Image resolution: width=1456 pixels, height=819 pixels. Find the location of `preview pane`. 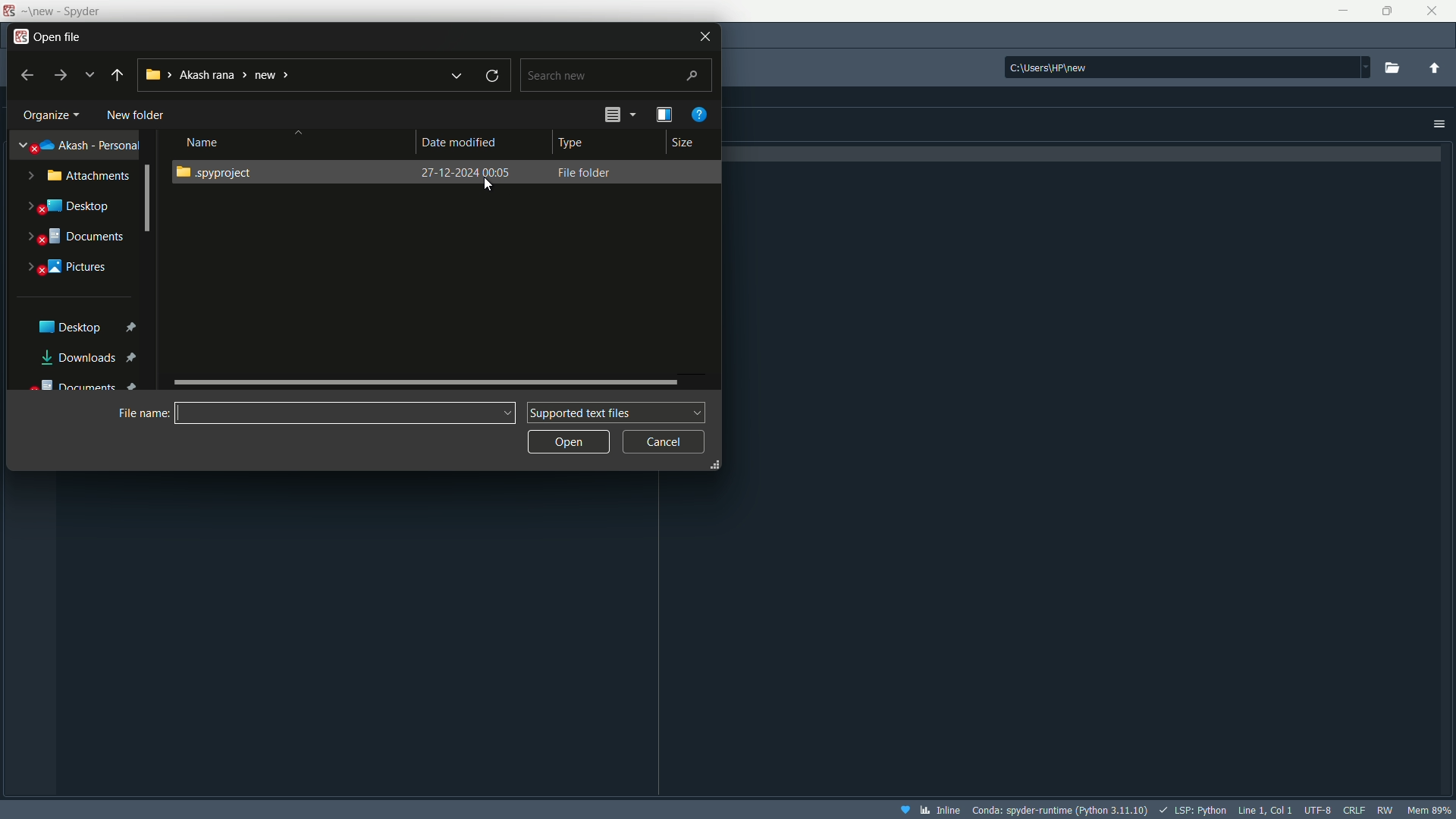

preview pane is located at coordinates (665, 115).